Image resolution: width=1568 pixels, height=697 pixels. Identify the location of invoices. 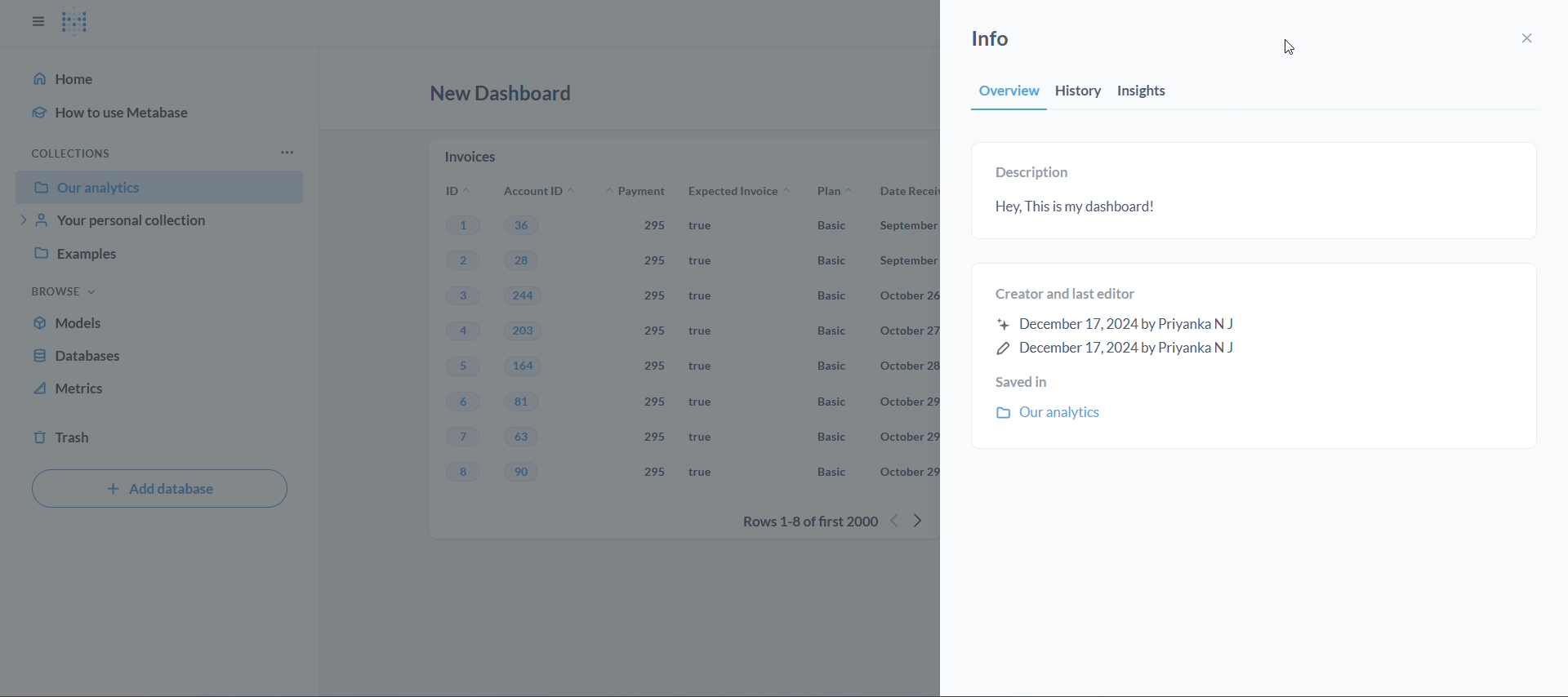
(473, 154).